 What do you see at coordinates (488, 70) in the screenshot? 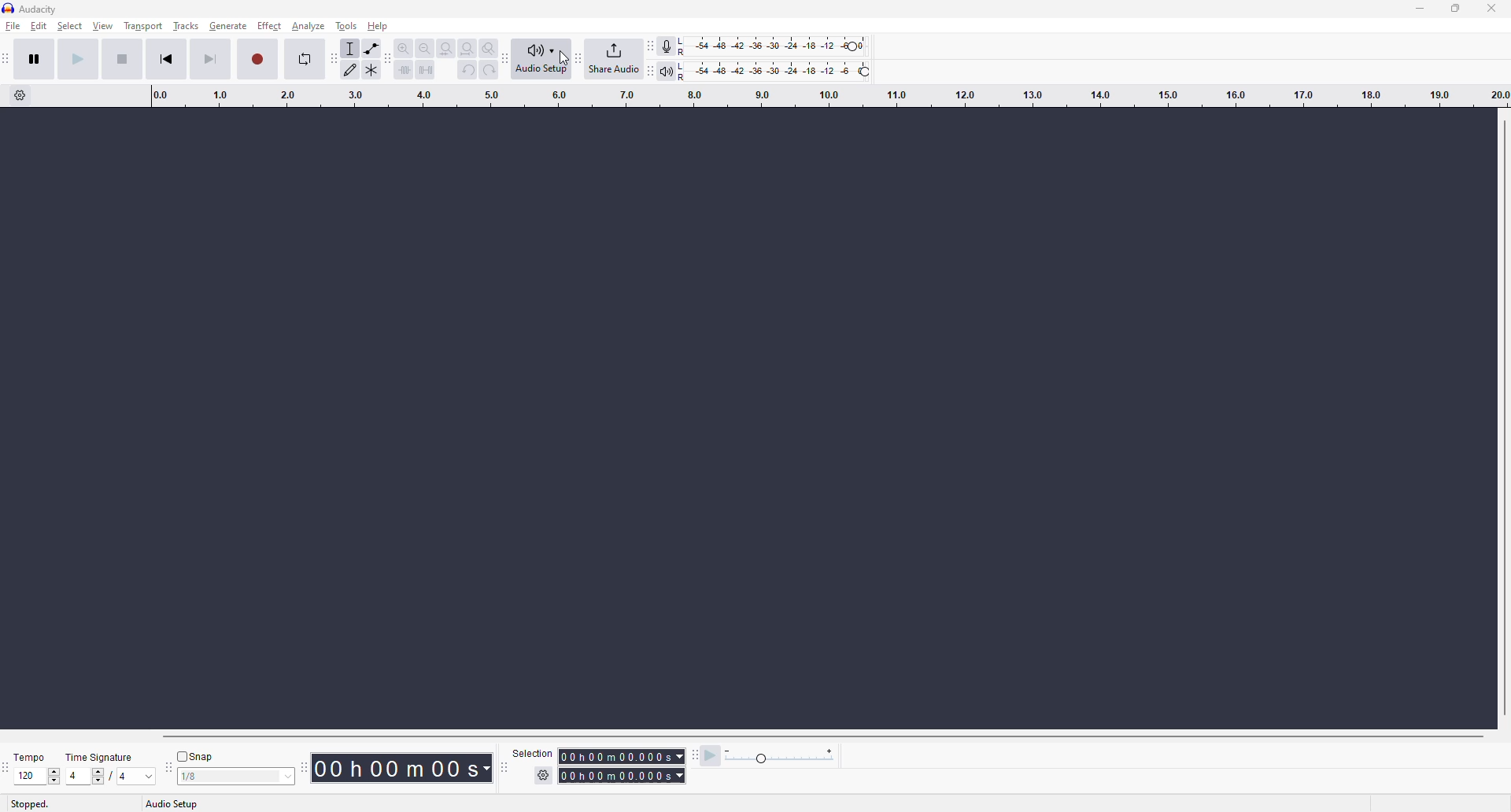
I see `redo` at bounding box center [488, 70].